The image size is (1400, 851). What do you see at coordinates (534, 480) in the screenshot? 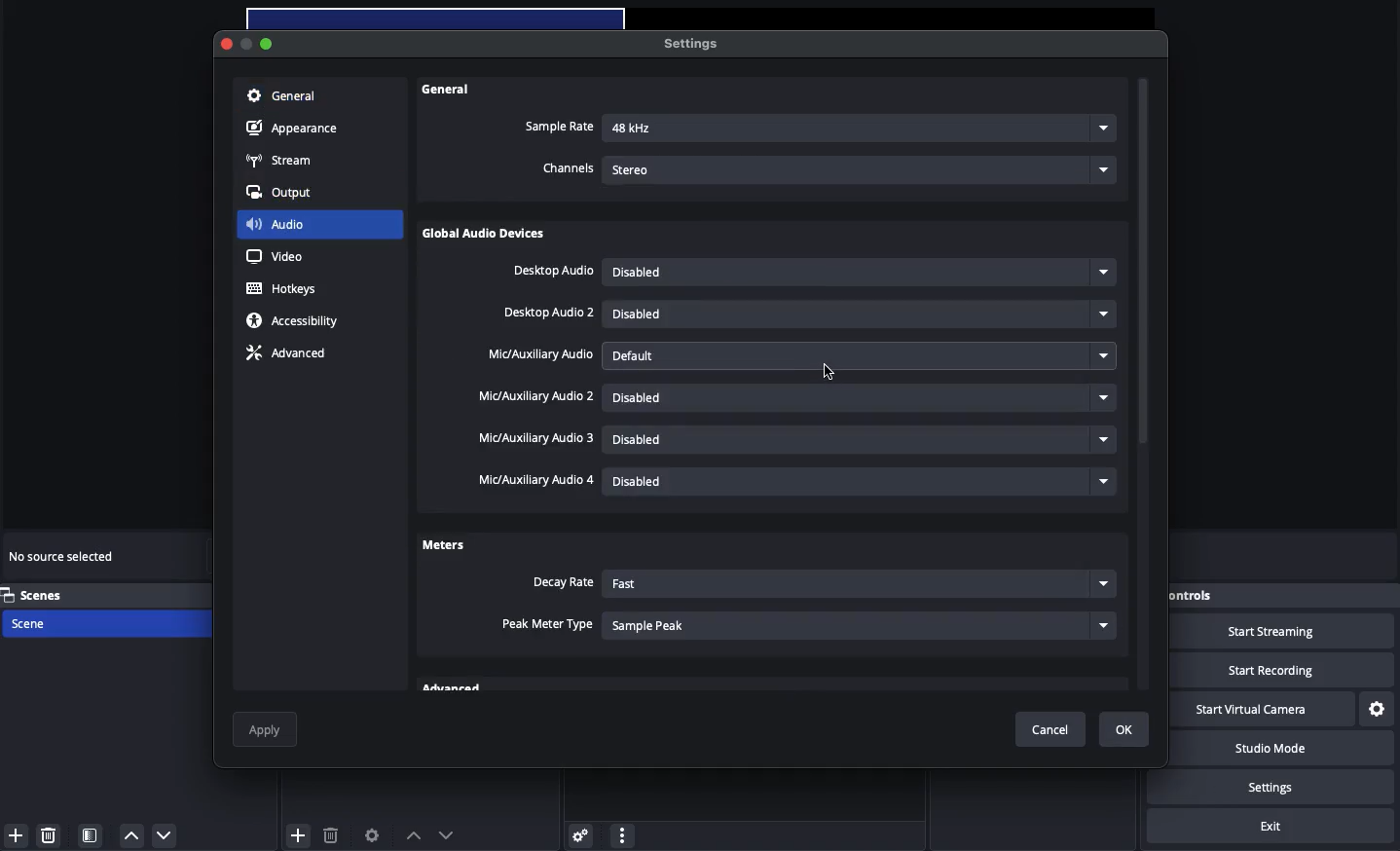
I see `Mic aux auto 4` at bounding box center [534, 480].